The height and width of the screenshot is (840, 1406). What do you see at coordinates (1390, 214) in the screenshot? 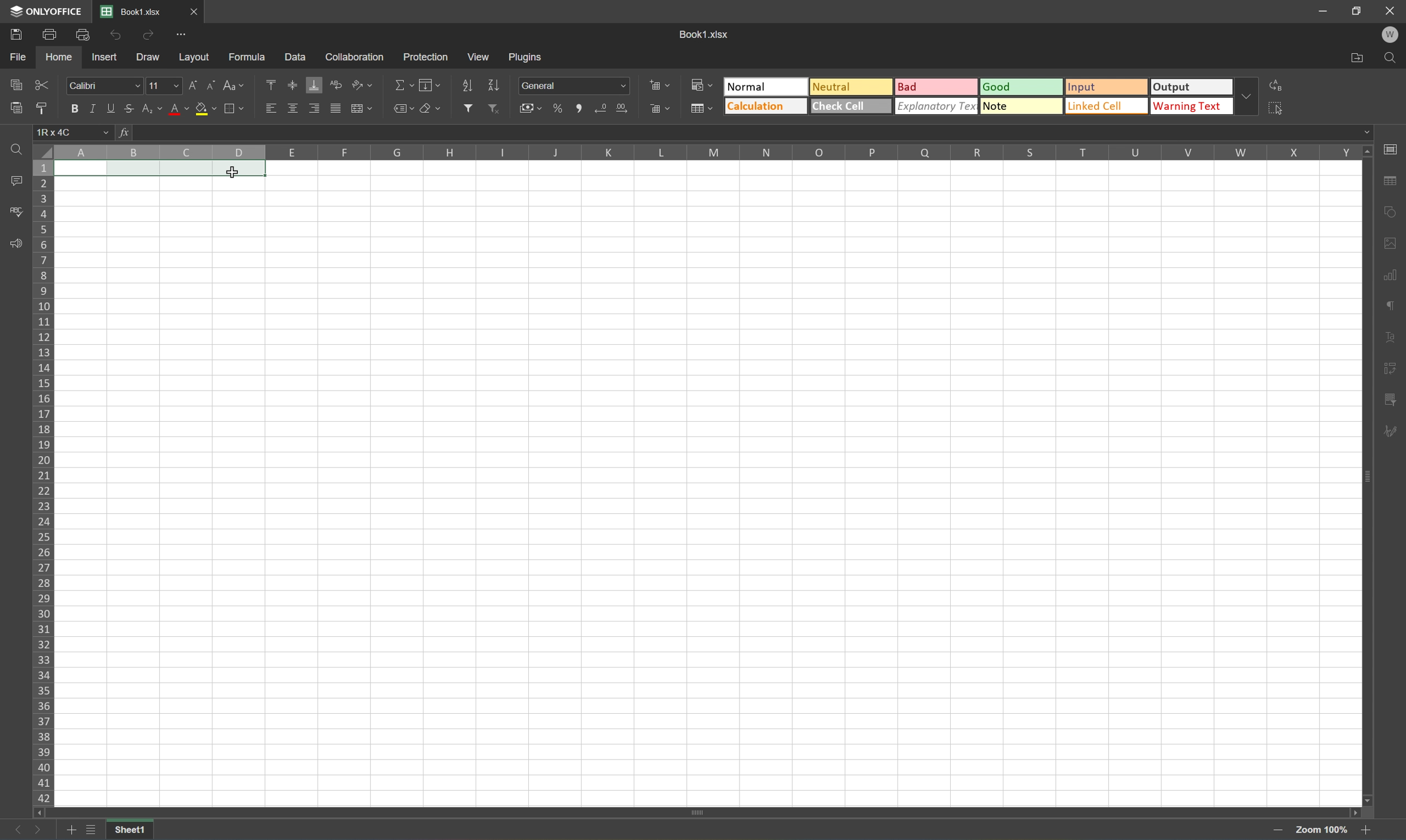
I see `Shape settings` at bounding box center [1390, 214].